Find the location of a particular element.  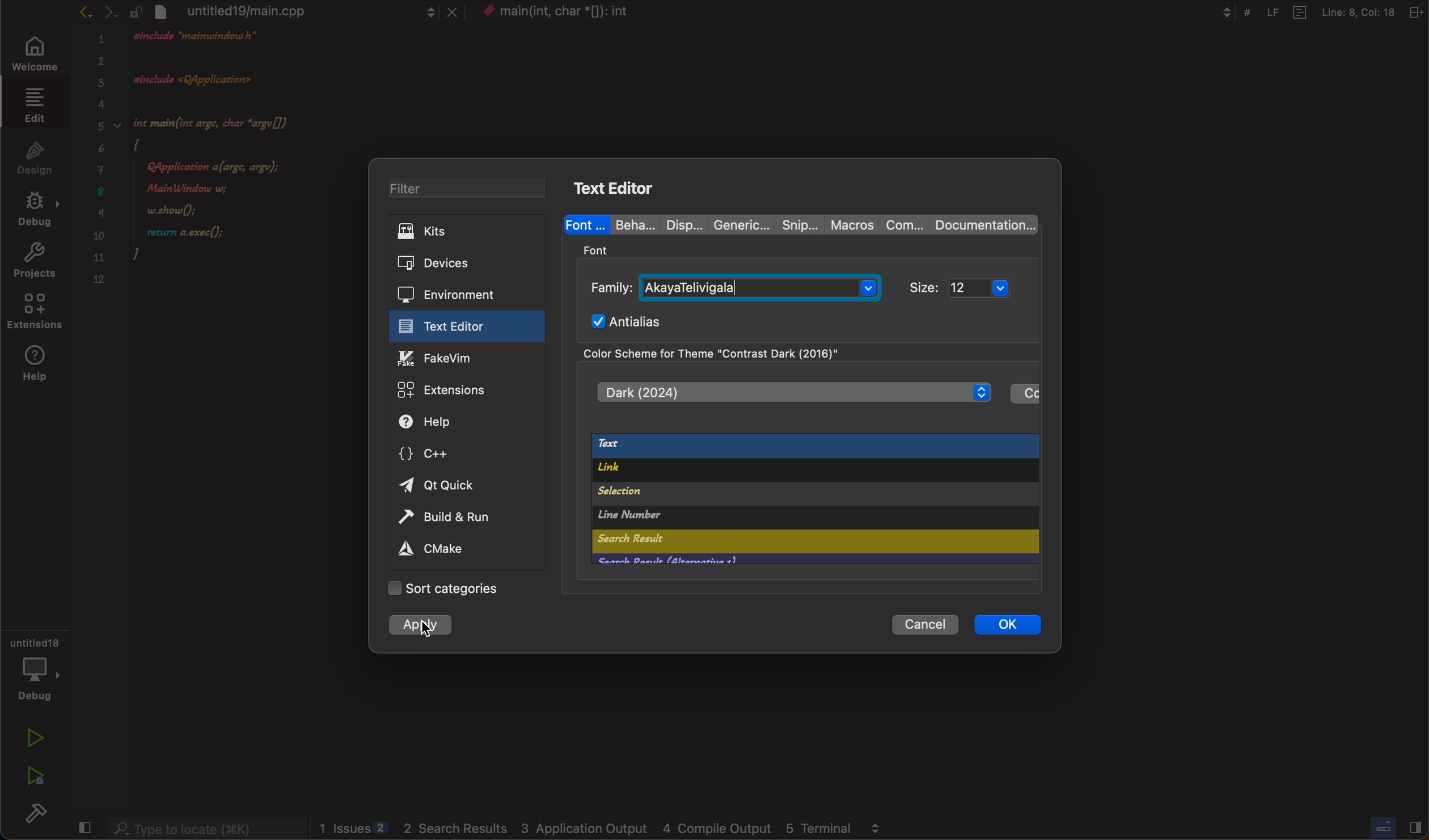

cancel is located at coordinates (919, 624).